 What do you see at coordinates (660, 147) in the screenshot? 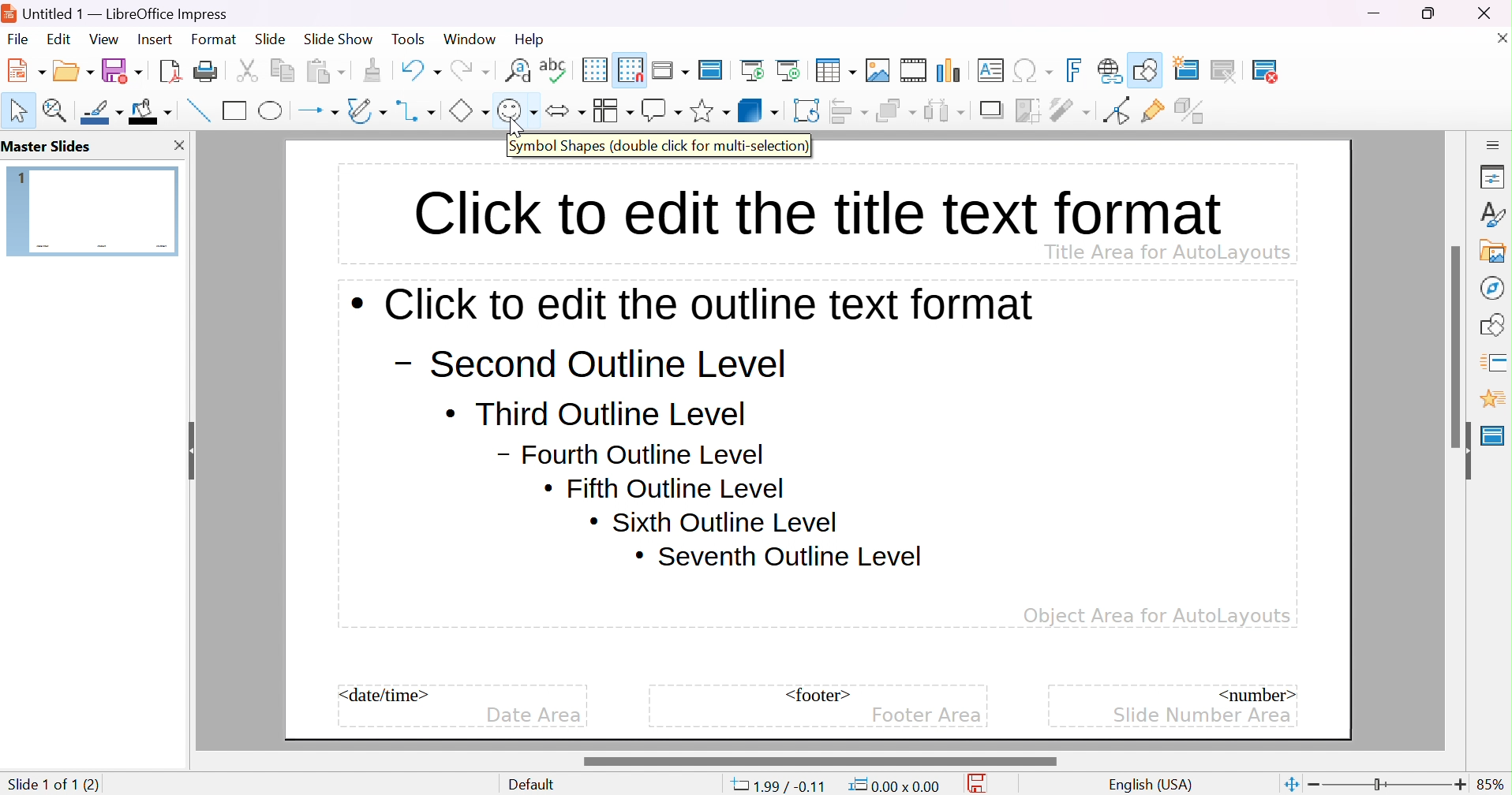
I see `symbol shapes (double click for multi-selection)` at bounding box center [660, 147].